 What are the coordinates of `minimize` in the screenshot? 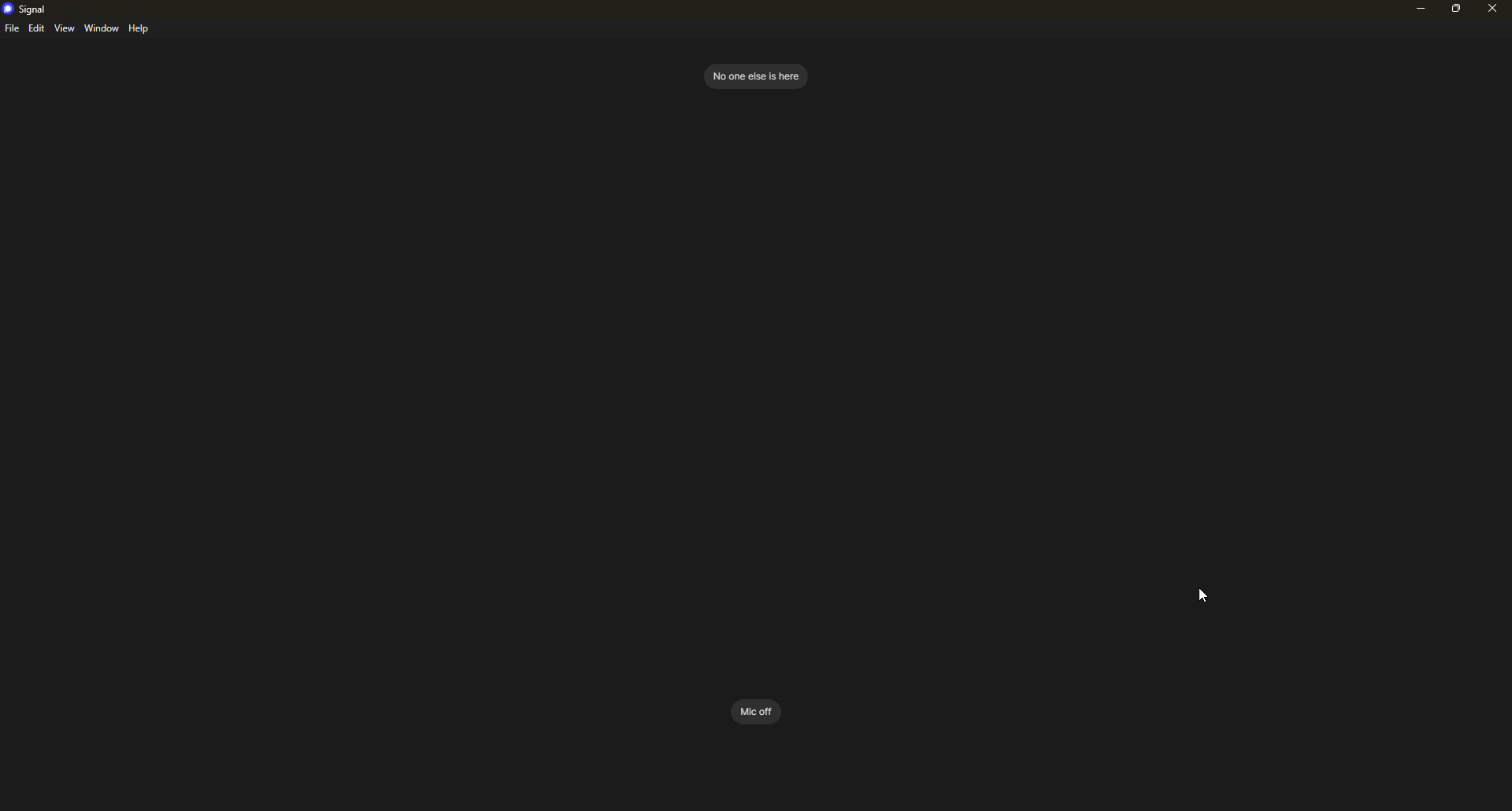 It's located at (1416, 11).